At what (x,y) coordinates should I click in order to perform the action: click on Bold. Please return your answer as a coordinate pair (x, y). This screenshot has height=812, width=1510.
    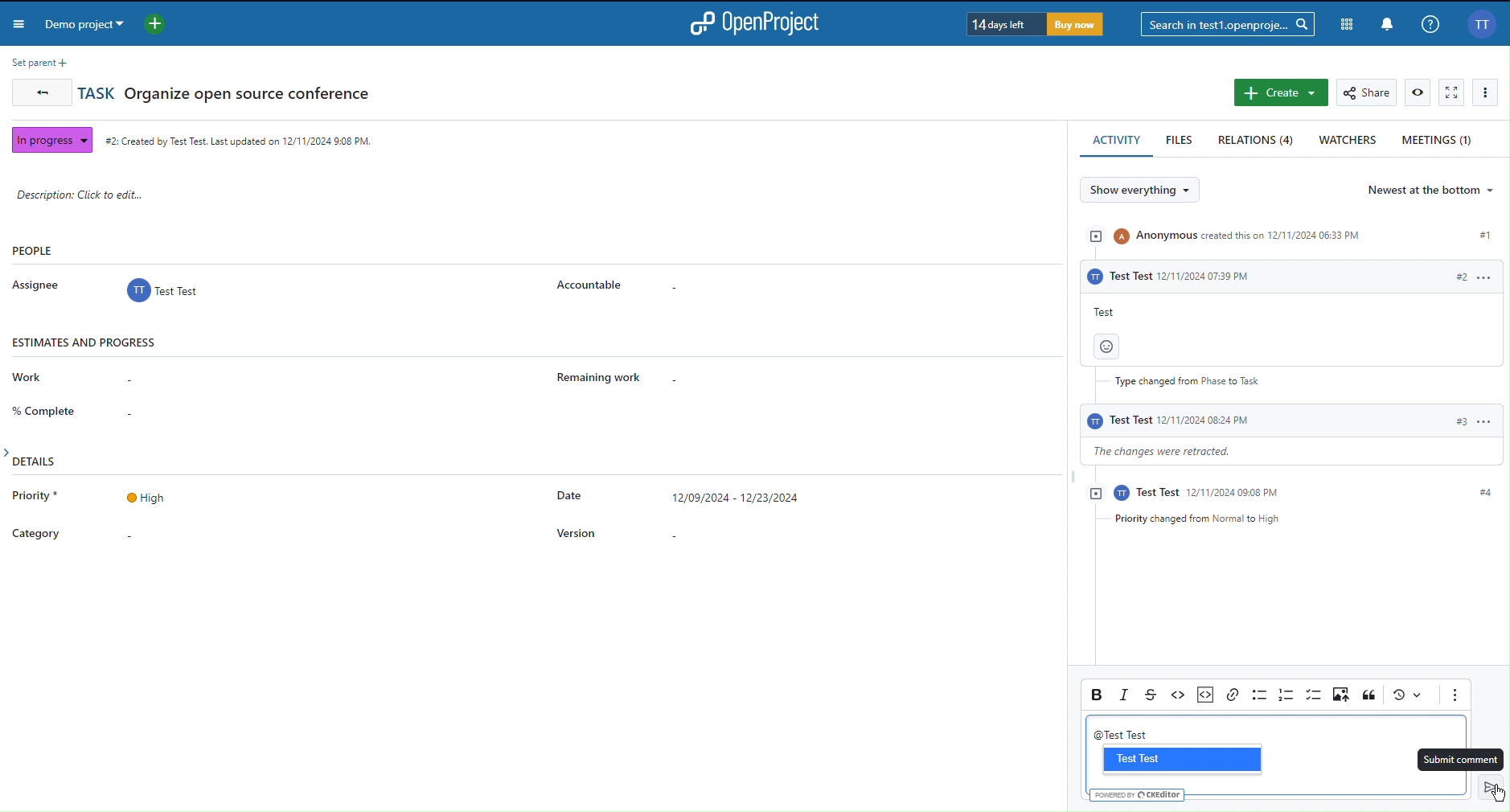
    Looking at the image, I should click on (1096, 693).